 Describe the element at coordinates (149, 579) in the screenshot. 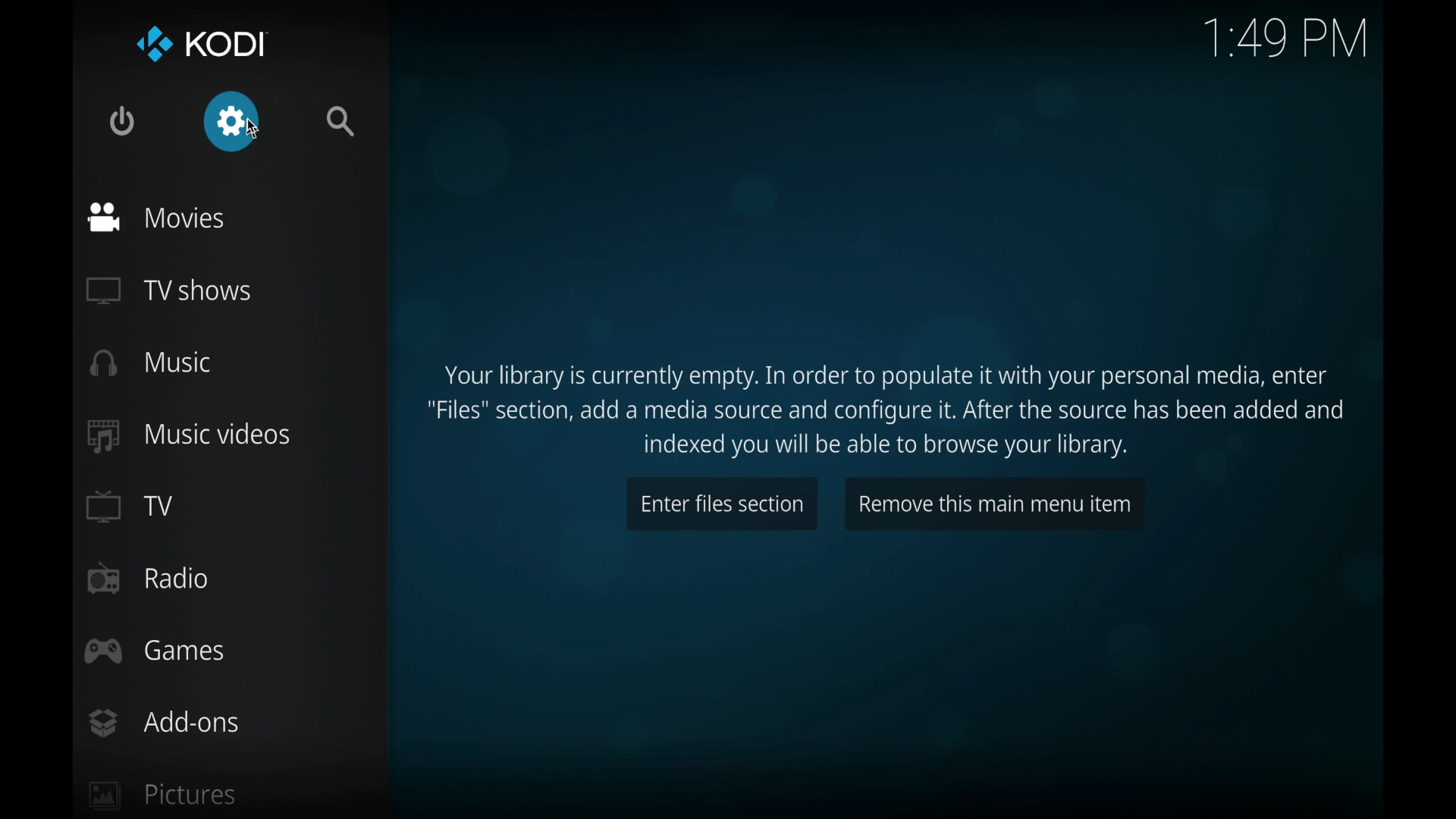

I see `radio` at that location.